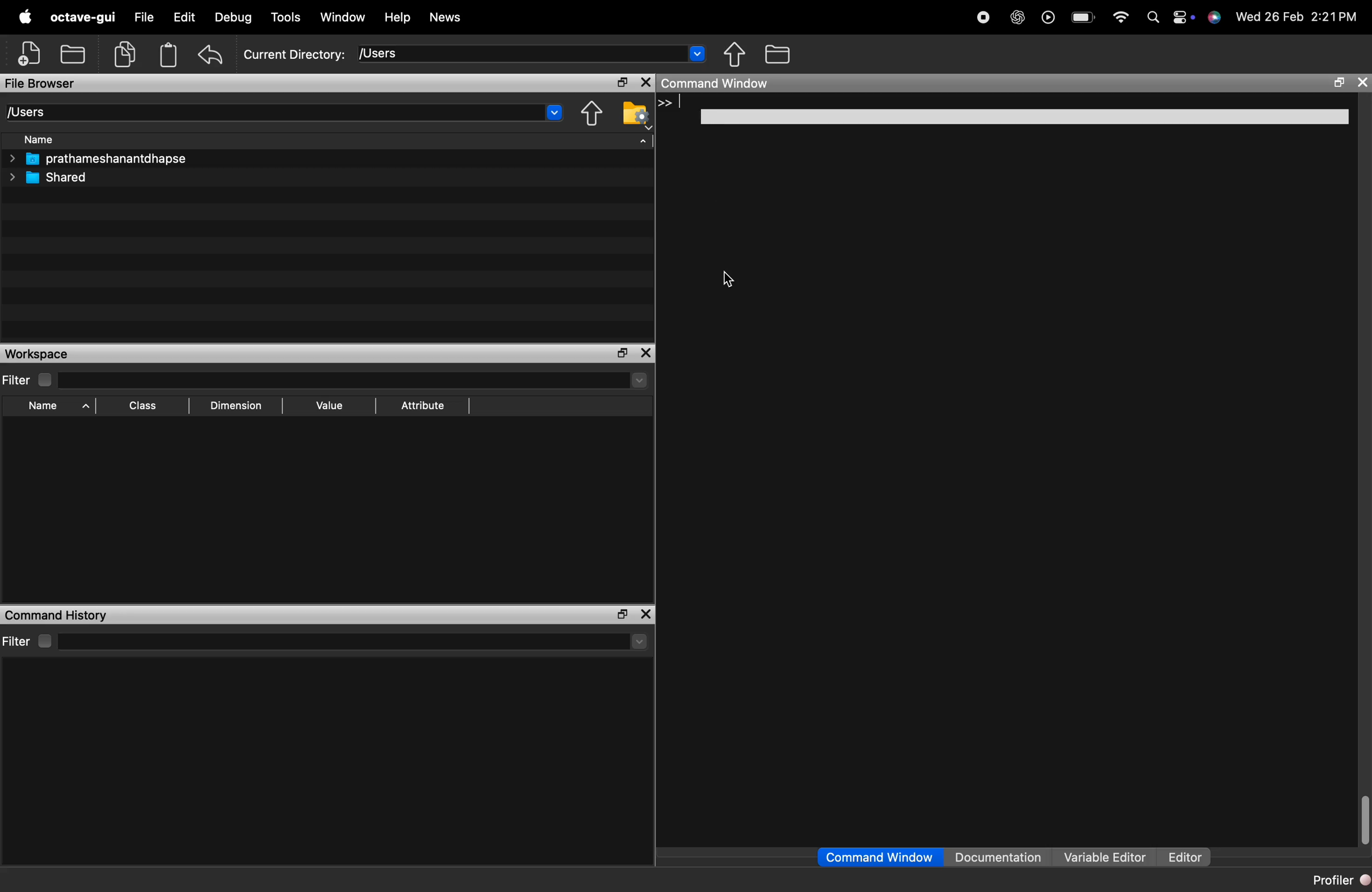 The image size is (1372, 892). Describe the element at coordinates (28, 642) in the screenshot. I see `Filter` at that location.